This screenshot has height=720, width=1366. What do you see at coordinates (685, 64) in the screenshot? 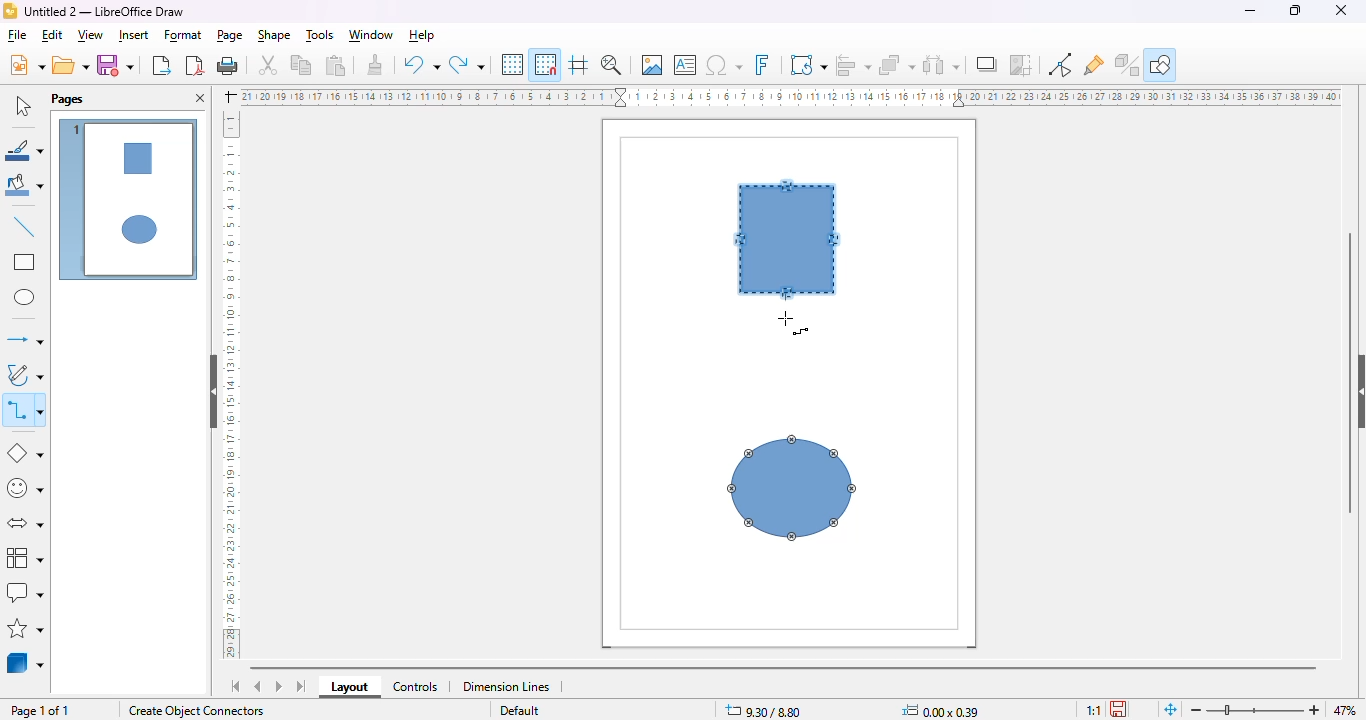
I see `insert text box` at bounding box center [685, 64].